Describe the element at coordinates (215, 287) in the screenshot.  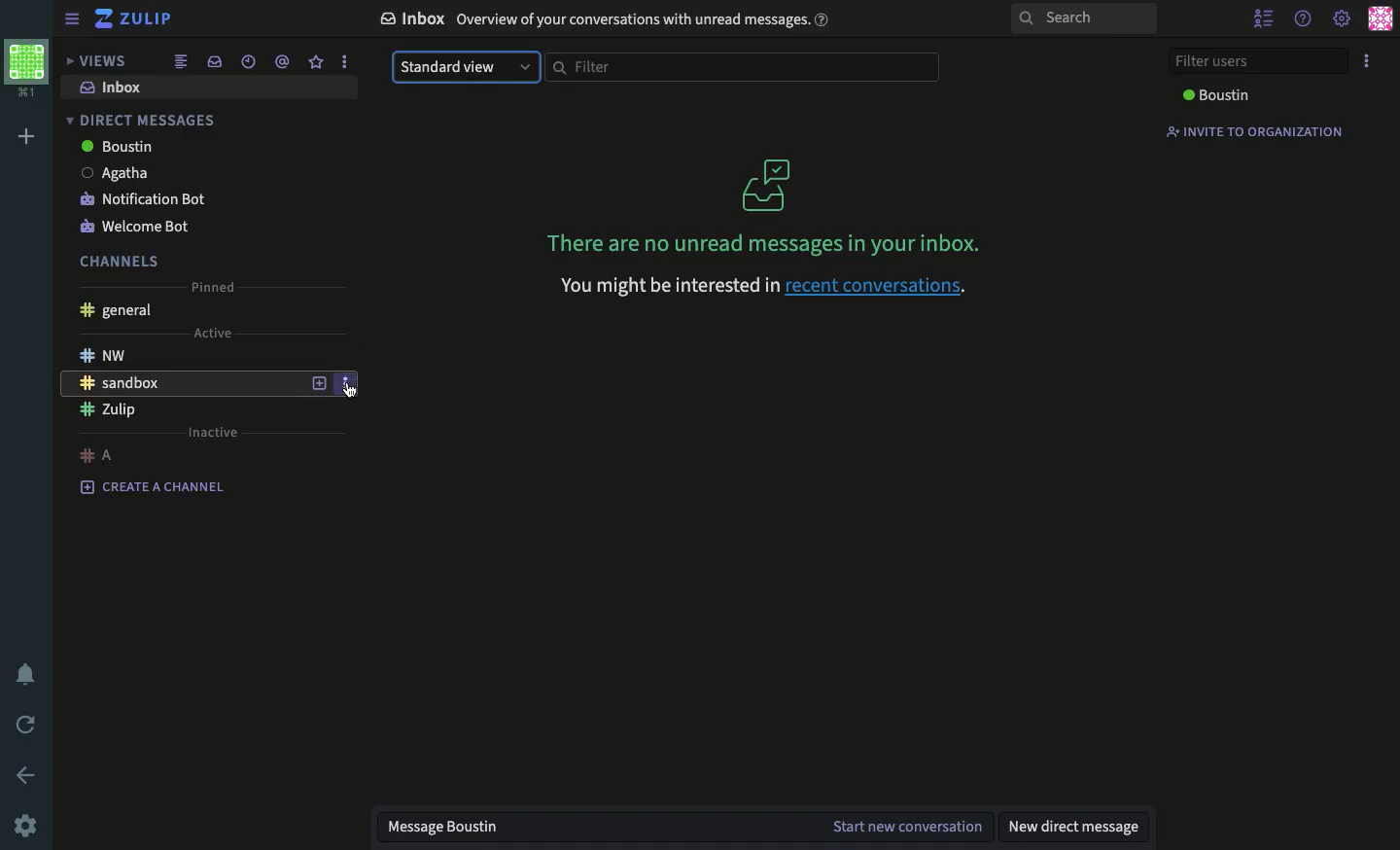
I see `pinned` at that location.